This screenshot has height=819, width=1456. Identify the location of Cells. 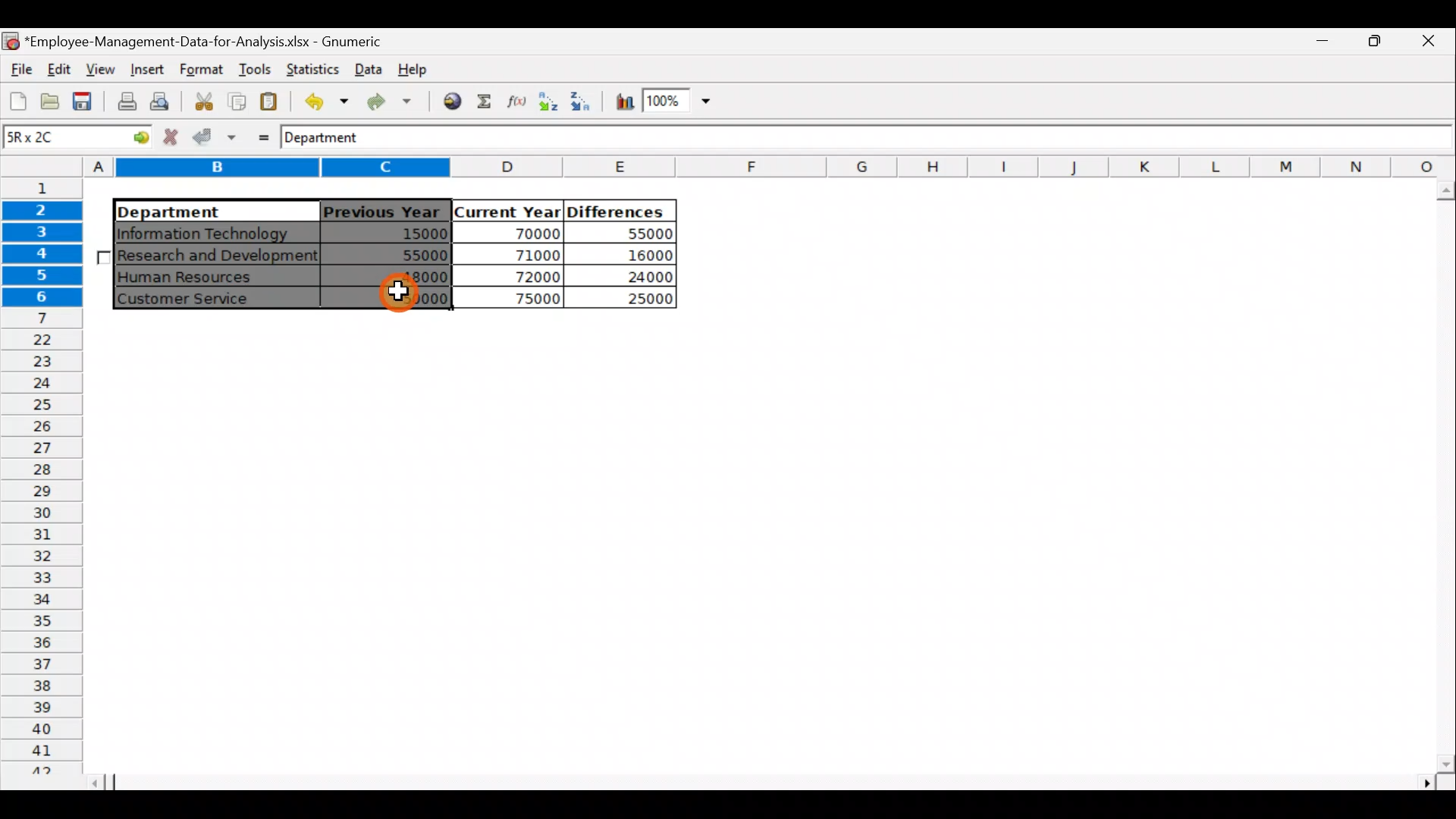
(757, 547).